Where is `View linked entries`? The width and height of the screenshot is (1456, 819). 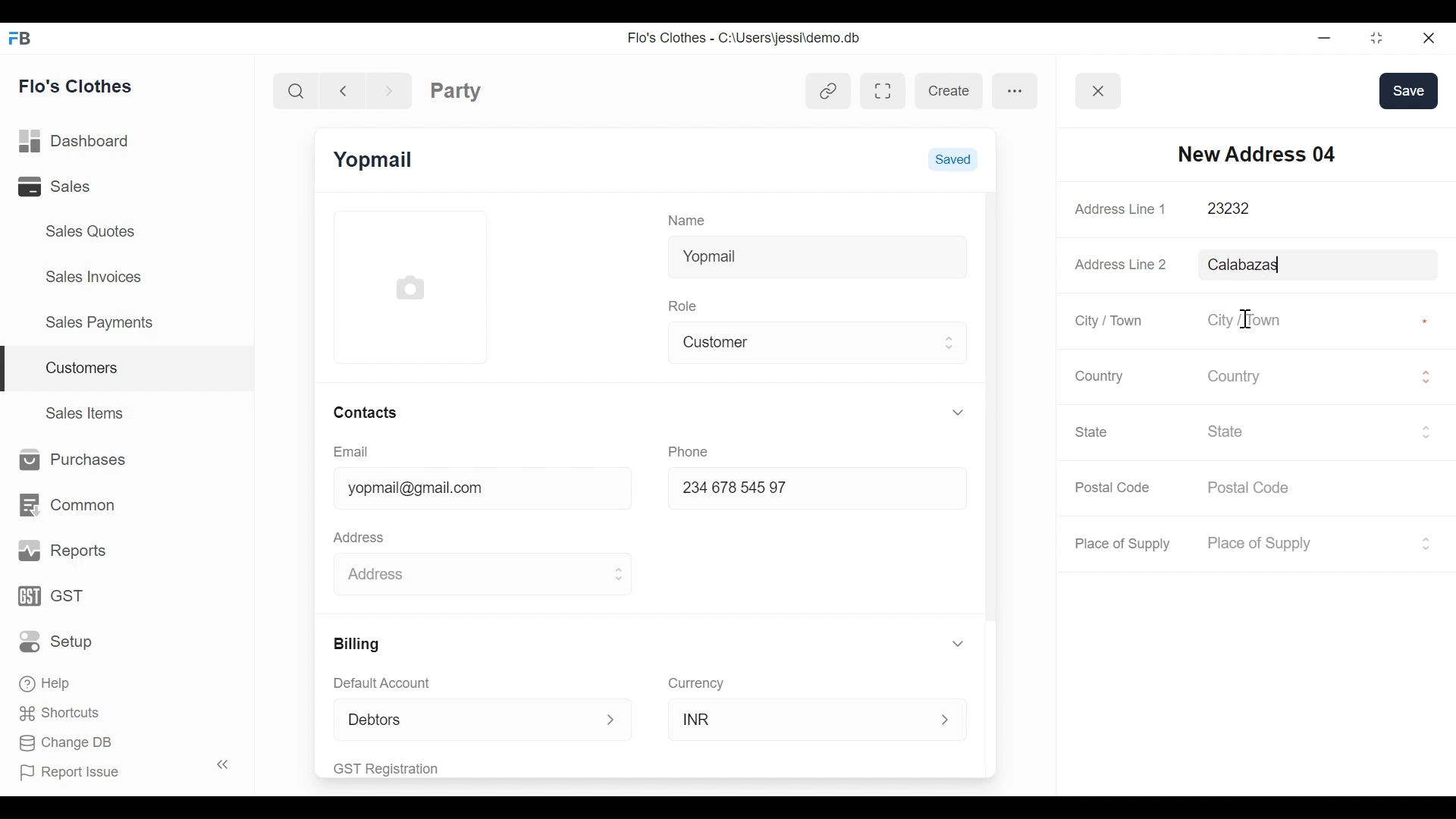 View linked entries is located at coordinates (828, 93).